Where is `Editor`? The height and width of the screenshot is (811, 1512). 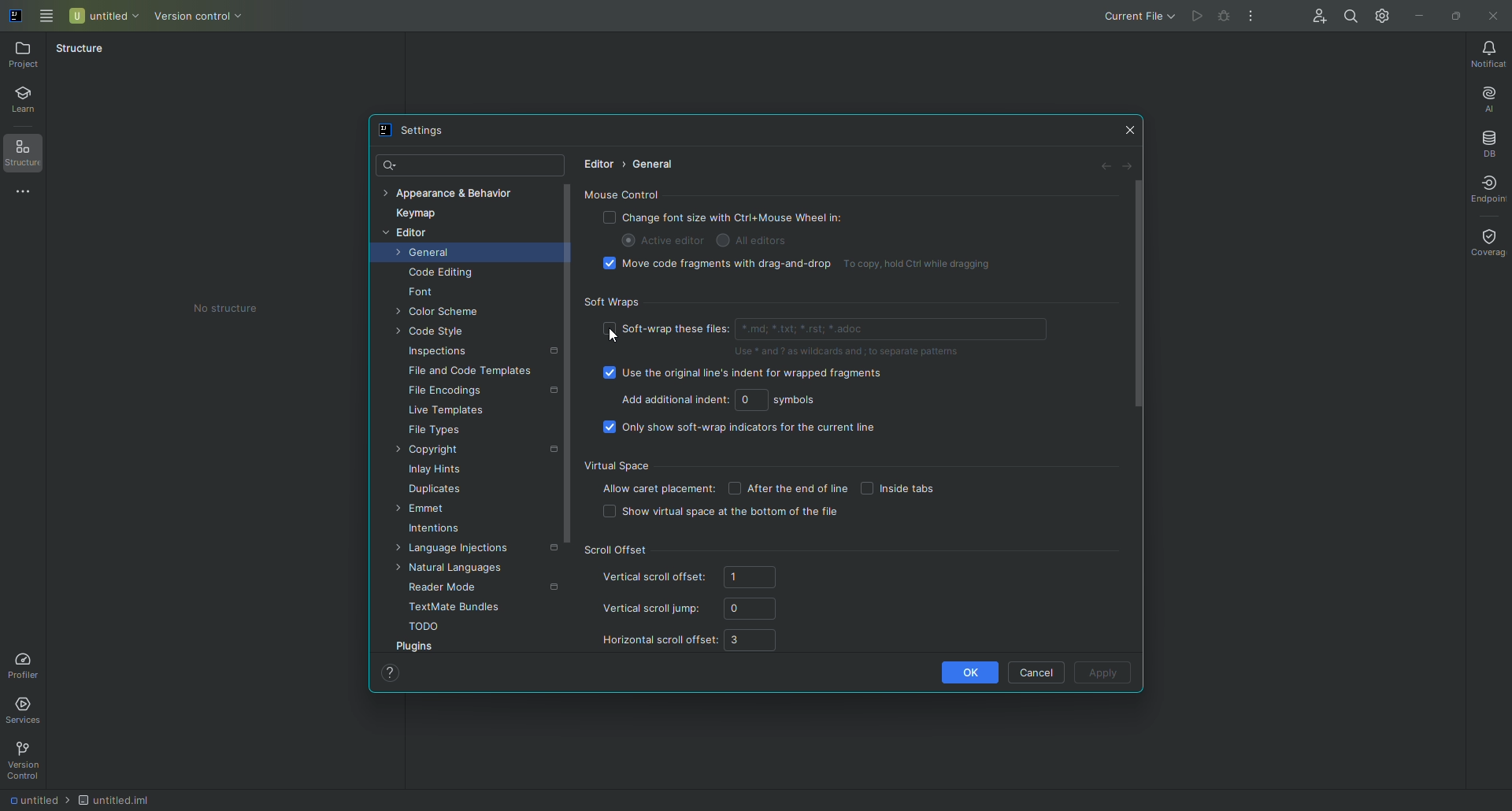
Editor is located at coordinates (405, 235).